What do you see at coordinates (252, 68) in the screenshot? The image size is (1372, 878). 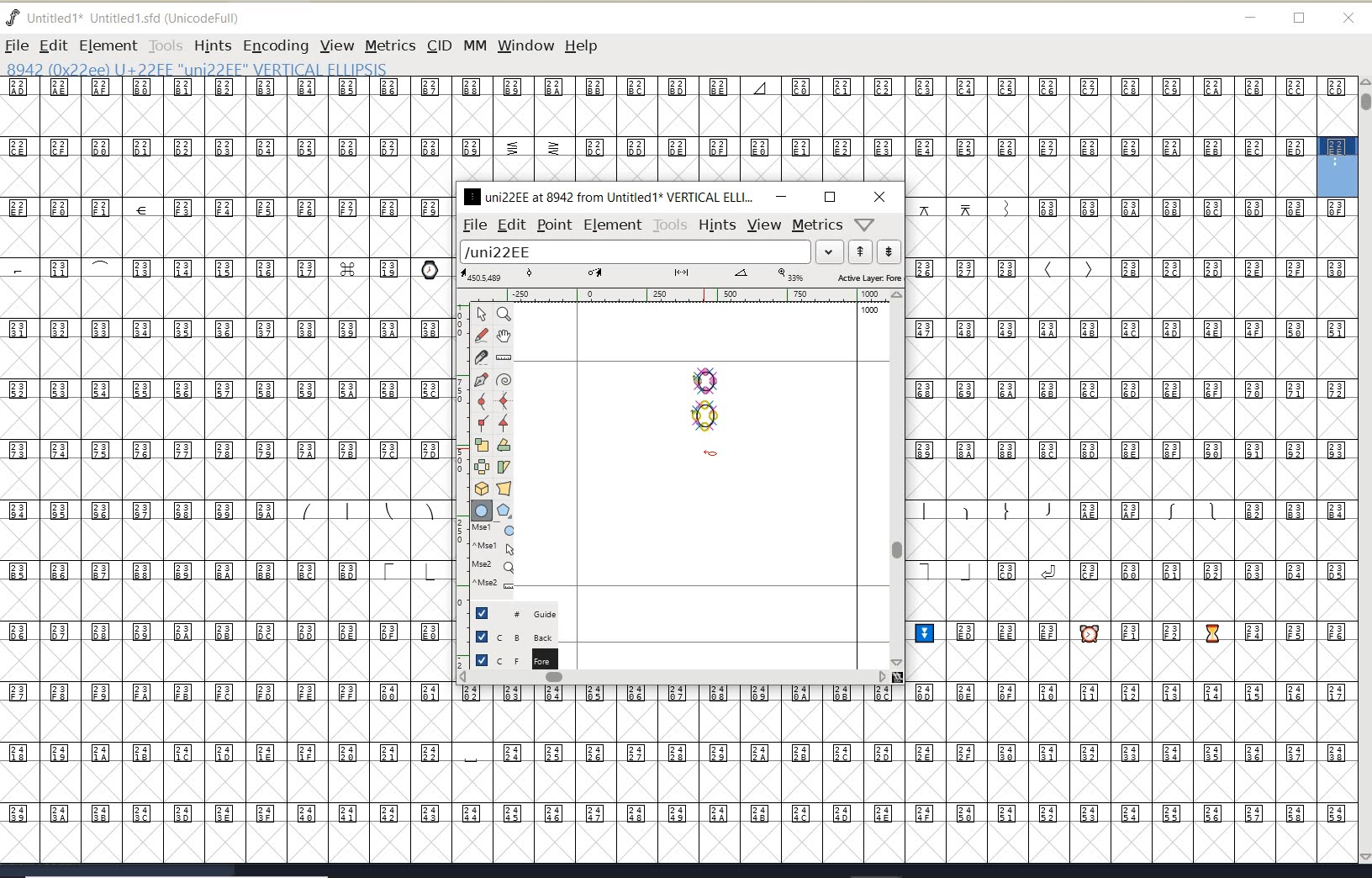 I see `8942 (0x22ee) U+22EE "uni22EE" VERTICAL EllIPSIS` at bounding box center [252, 68].